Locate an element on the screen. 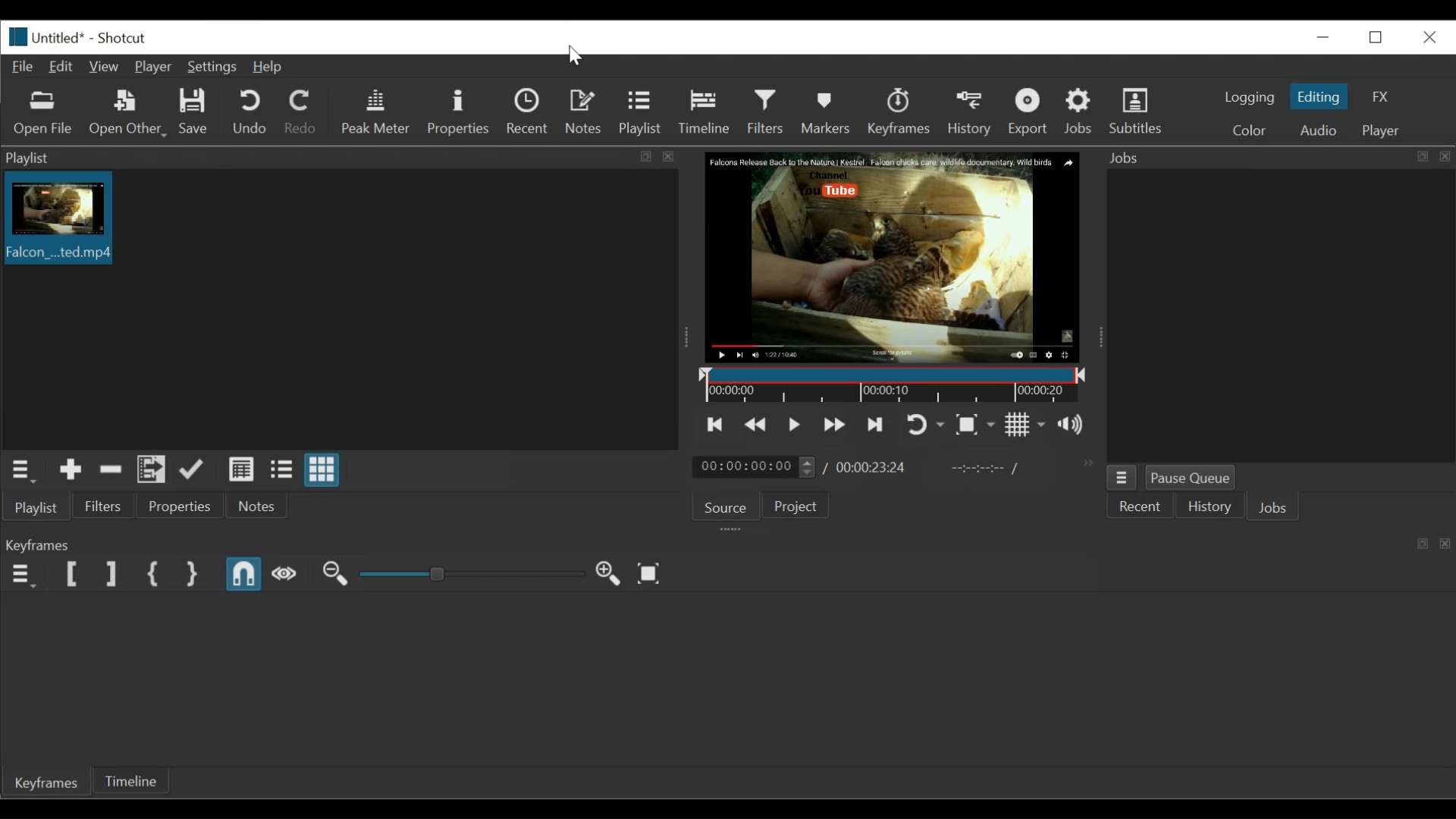 The width and height of the screenshot is (1456, 819). Scrub while dragging is located at coordinates (286, 575).